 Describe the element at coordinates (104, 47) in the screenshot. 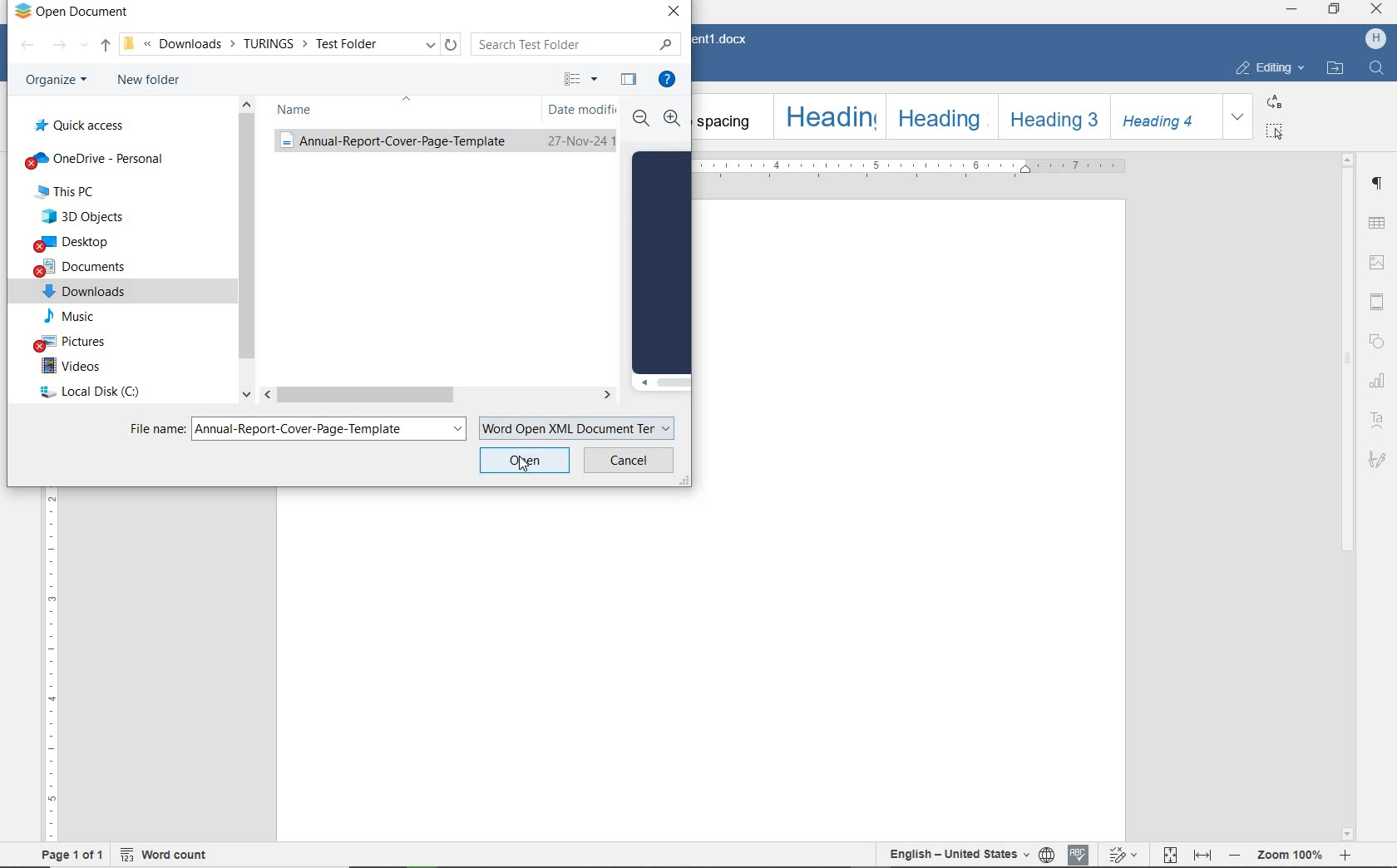

I see `up` at that location.